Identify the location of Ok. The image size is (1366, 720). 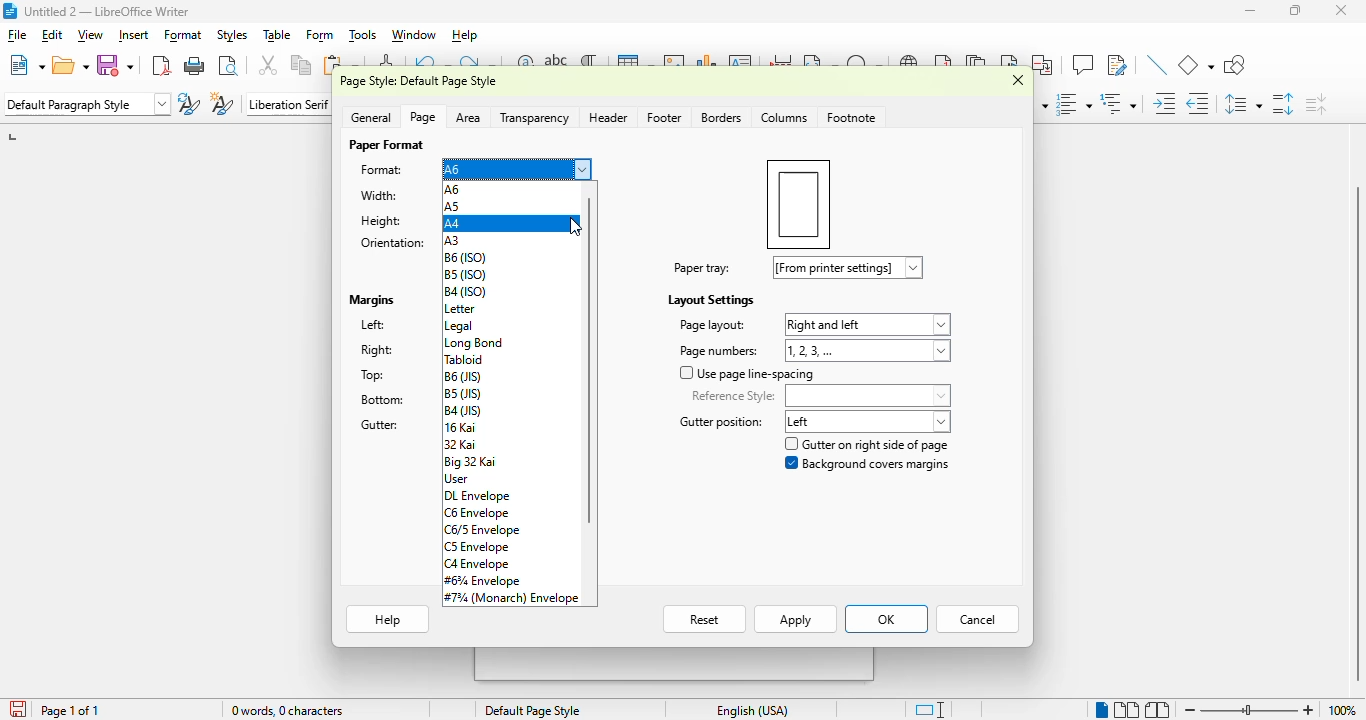
(889, 618).